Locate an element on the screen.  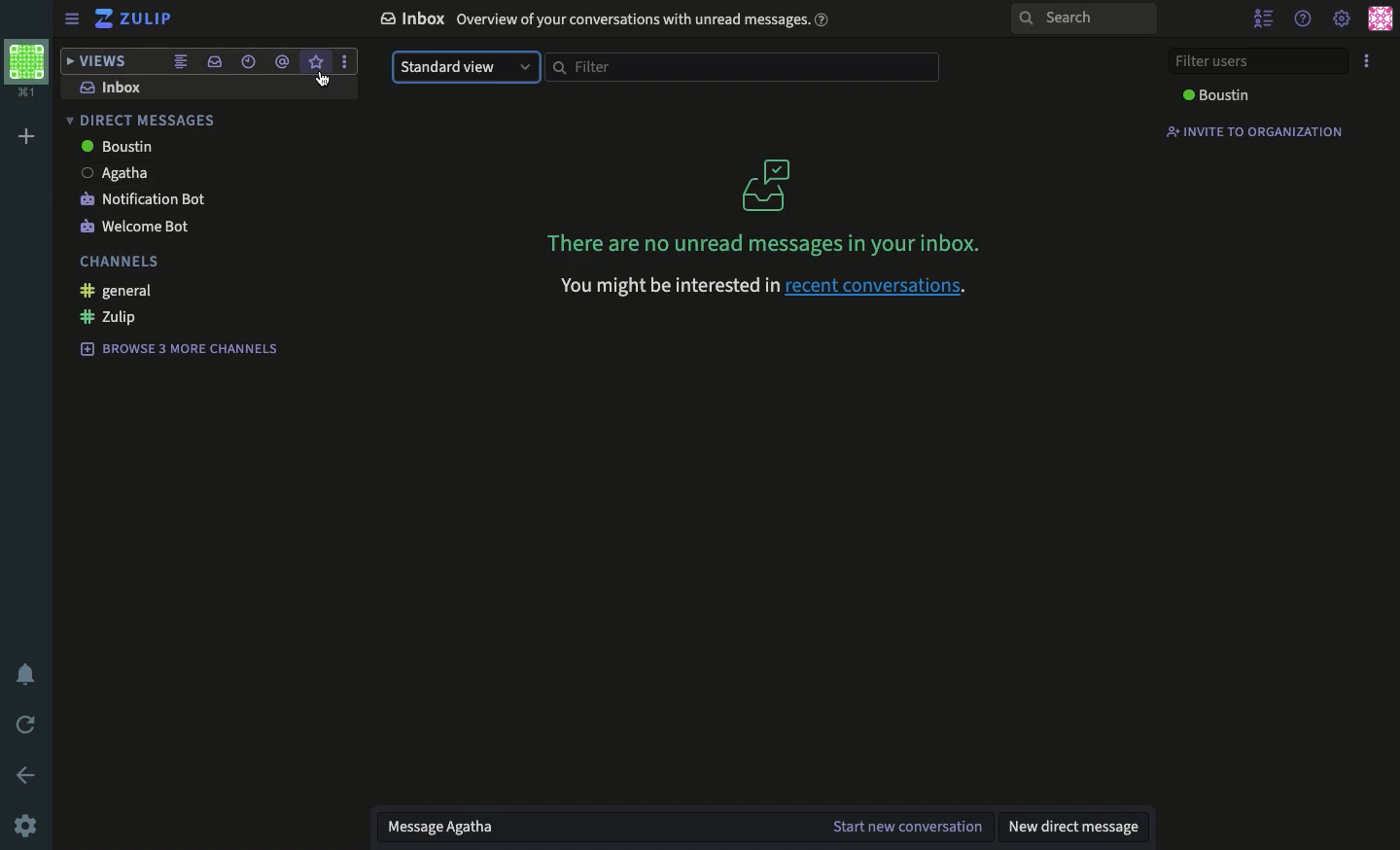
inbox is located at coordinates (215, 62).